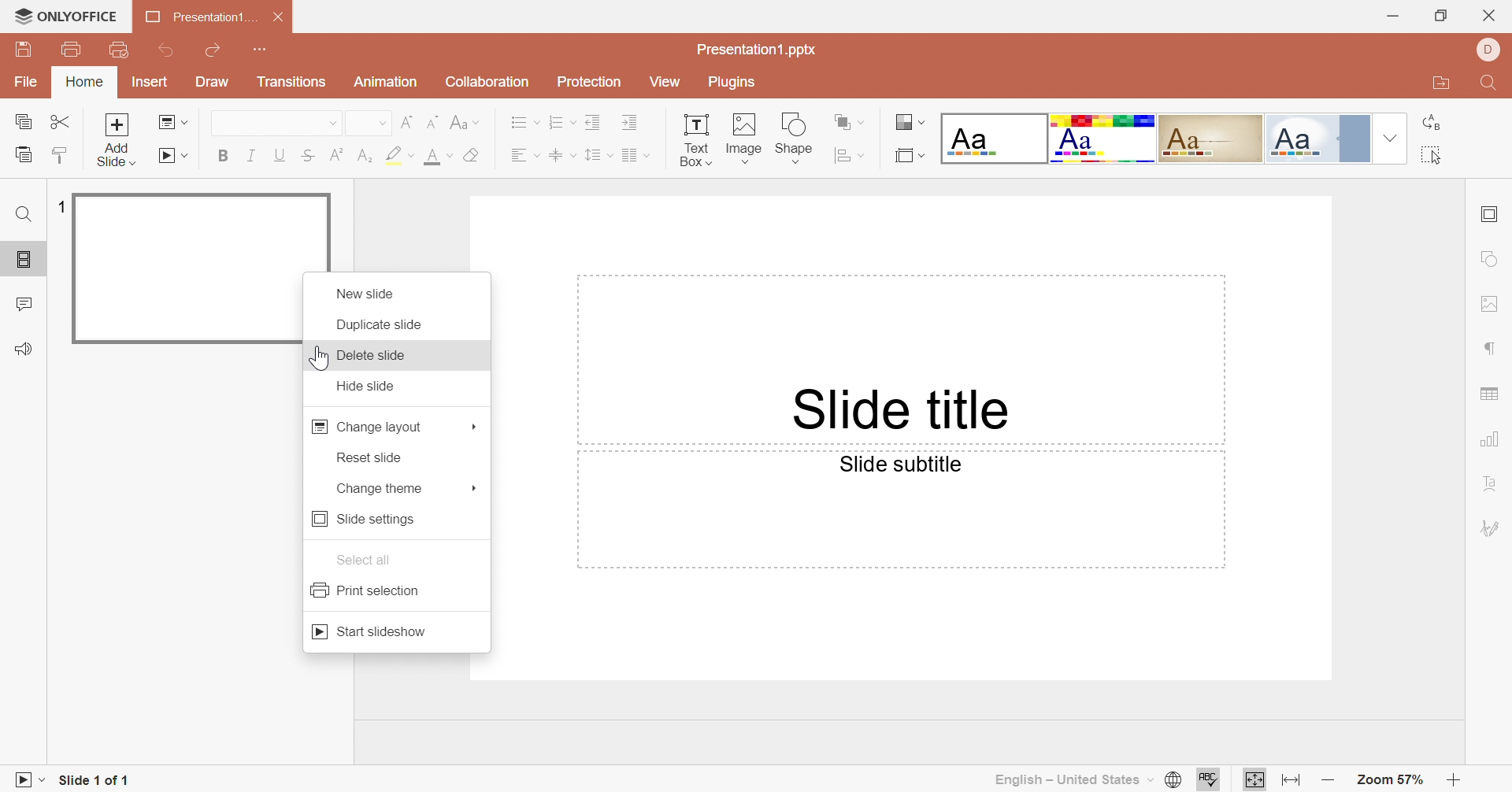  I want to click on Insert column, so click(629, 157).